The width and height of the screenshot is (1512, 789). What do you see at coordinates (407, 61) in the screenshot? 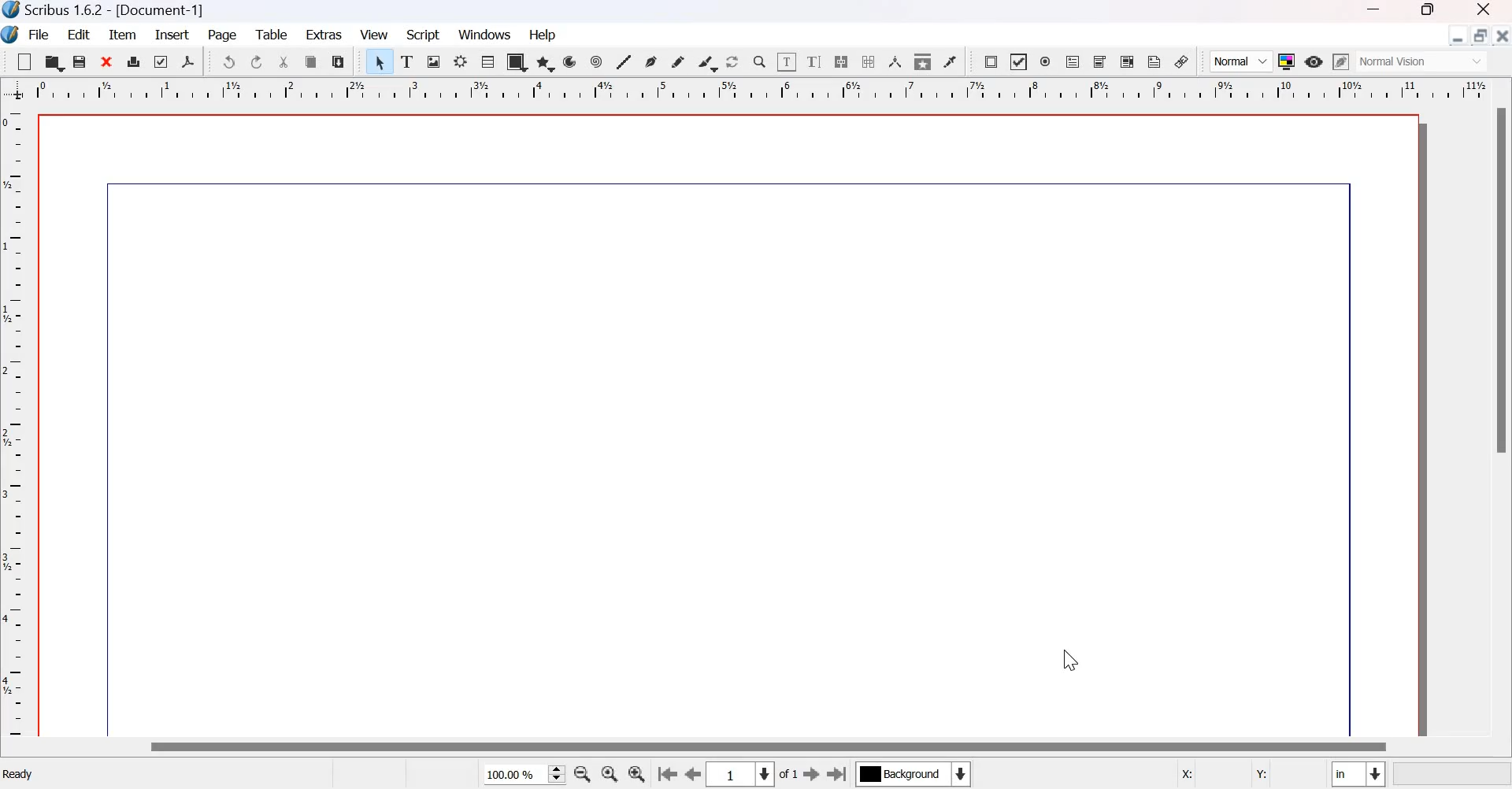
I see `Text frame` at bounding box center [407, 61].